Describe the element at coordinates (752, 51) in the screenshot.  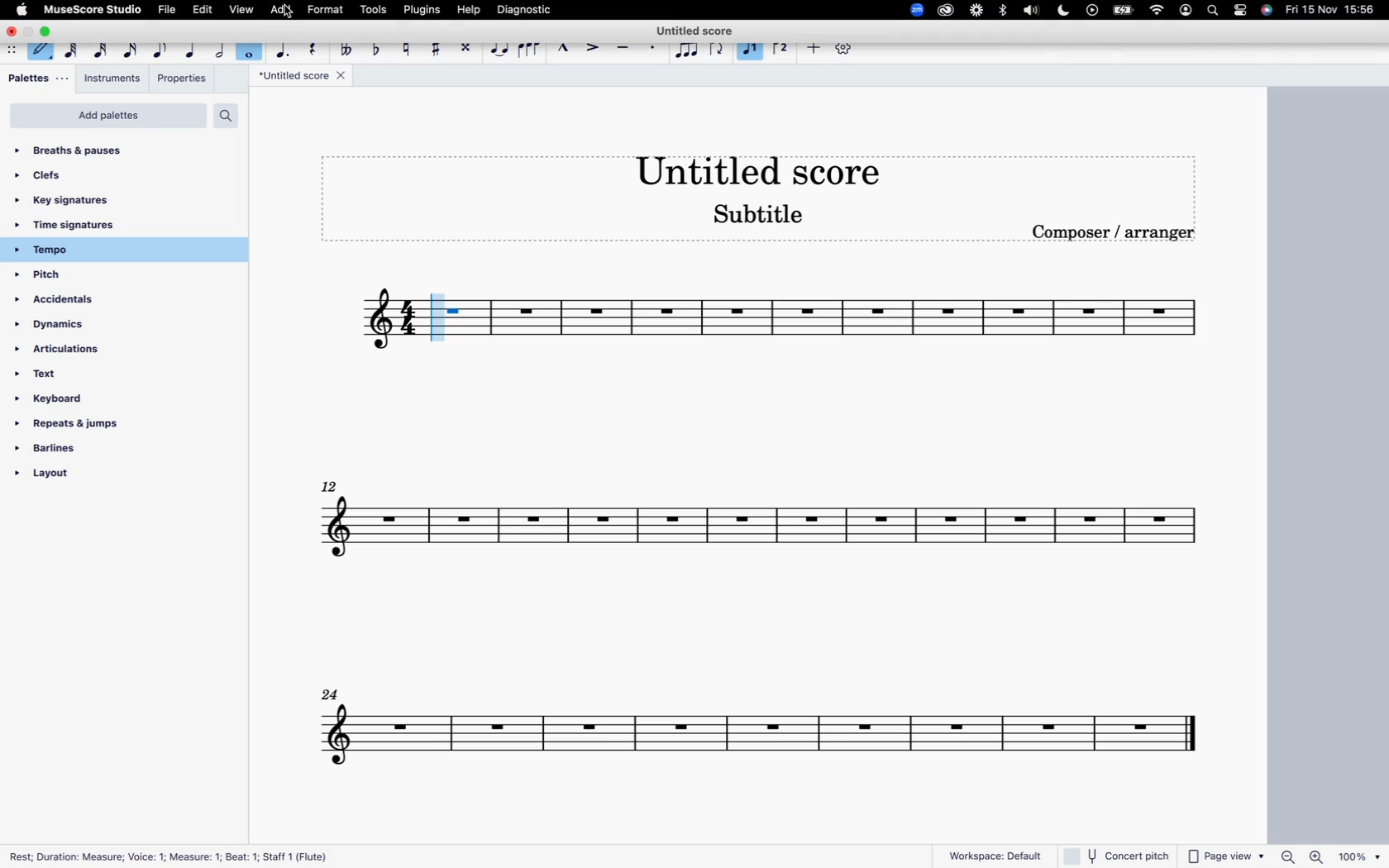
I see `voice 2` at that location.